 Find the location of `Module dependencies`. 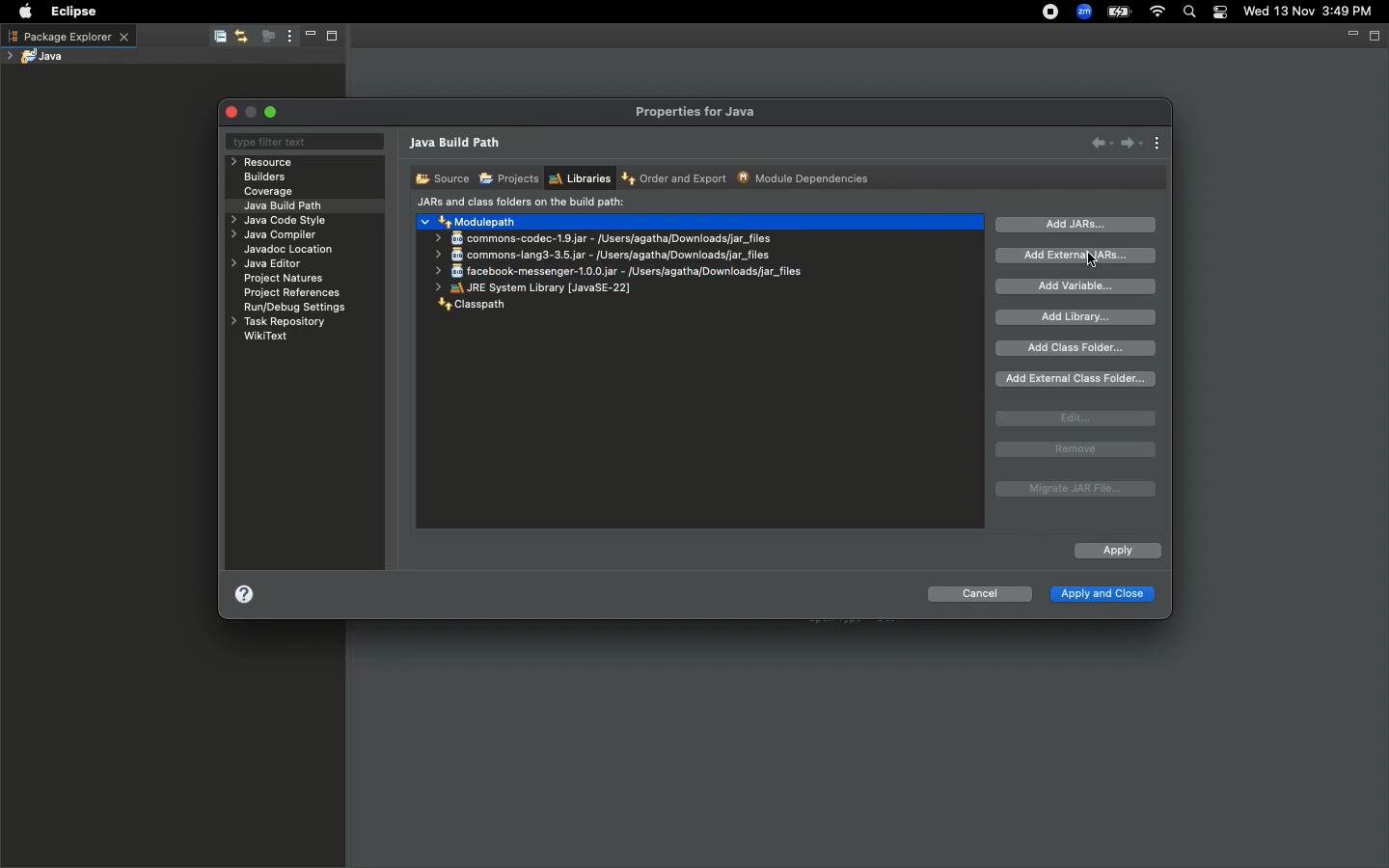

Module dependencies is located at coordinates (804, 177).